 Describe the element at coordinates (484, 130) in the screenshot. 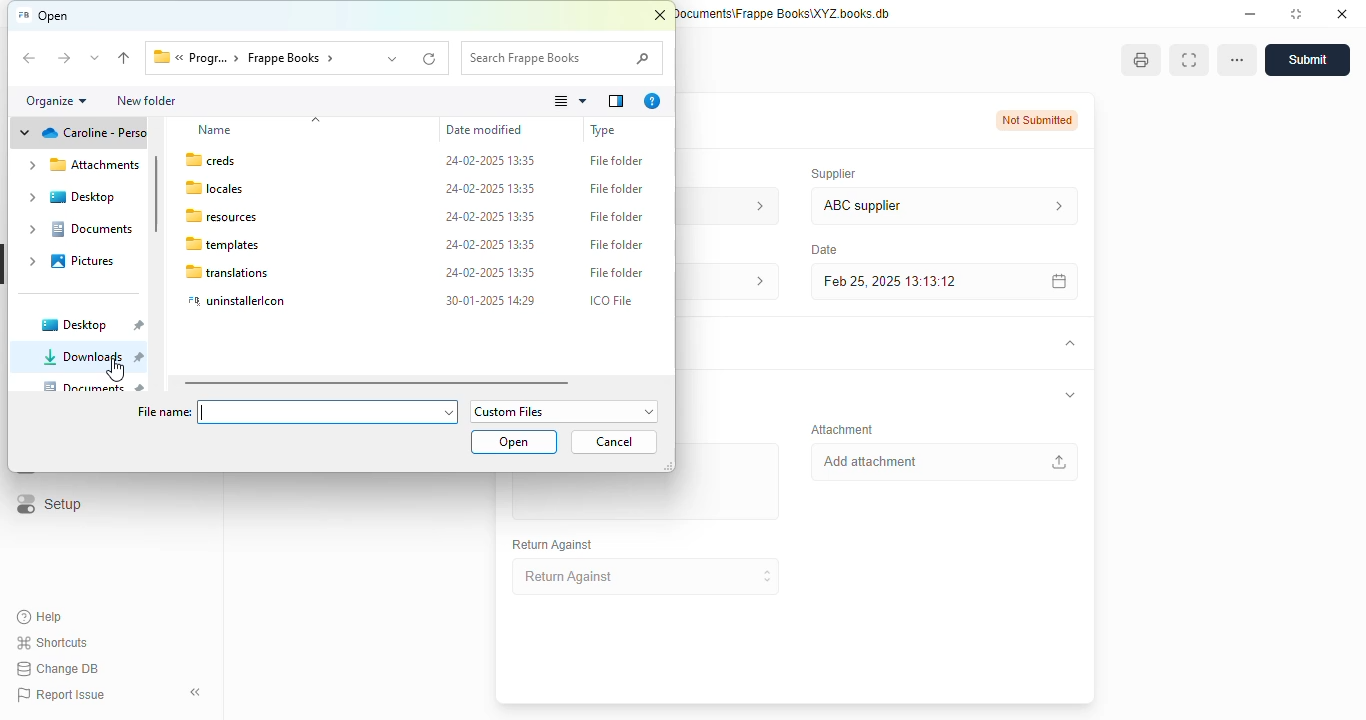

I see `date modified` at that location.